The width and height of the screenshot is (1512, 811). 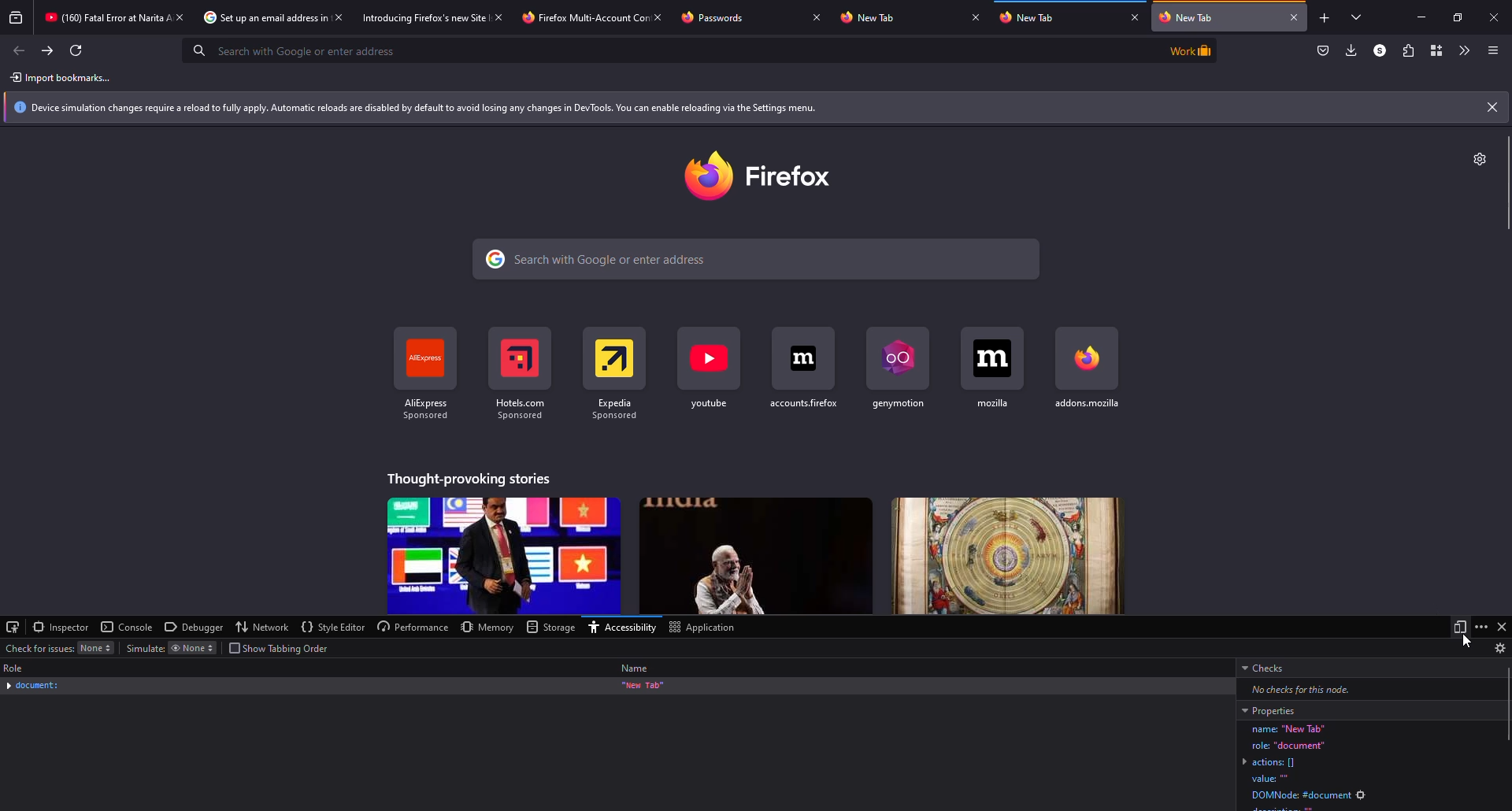 I want to click on Expedia shortcut, so click(x=615, y=375).